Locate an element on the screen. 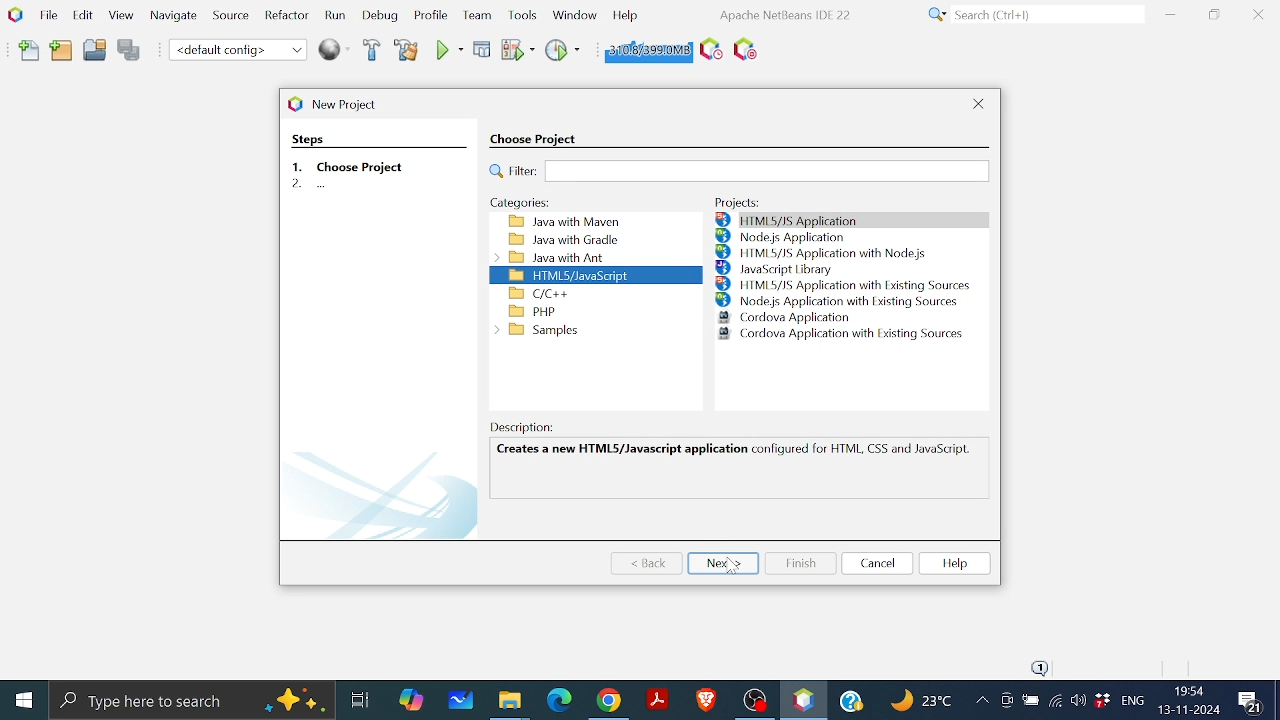  Creates a new HTML5/Javascript application configured for HTML, CSS and JavaSaipl is located at coordinates (732, 451).